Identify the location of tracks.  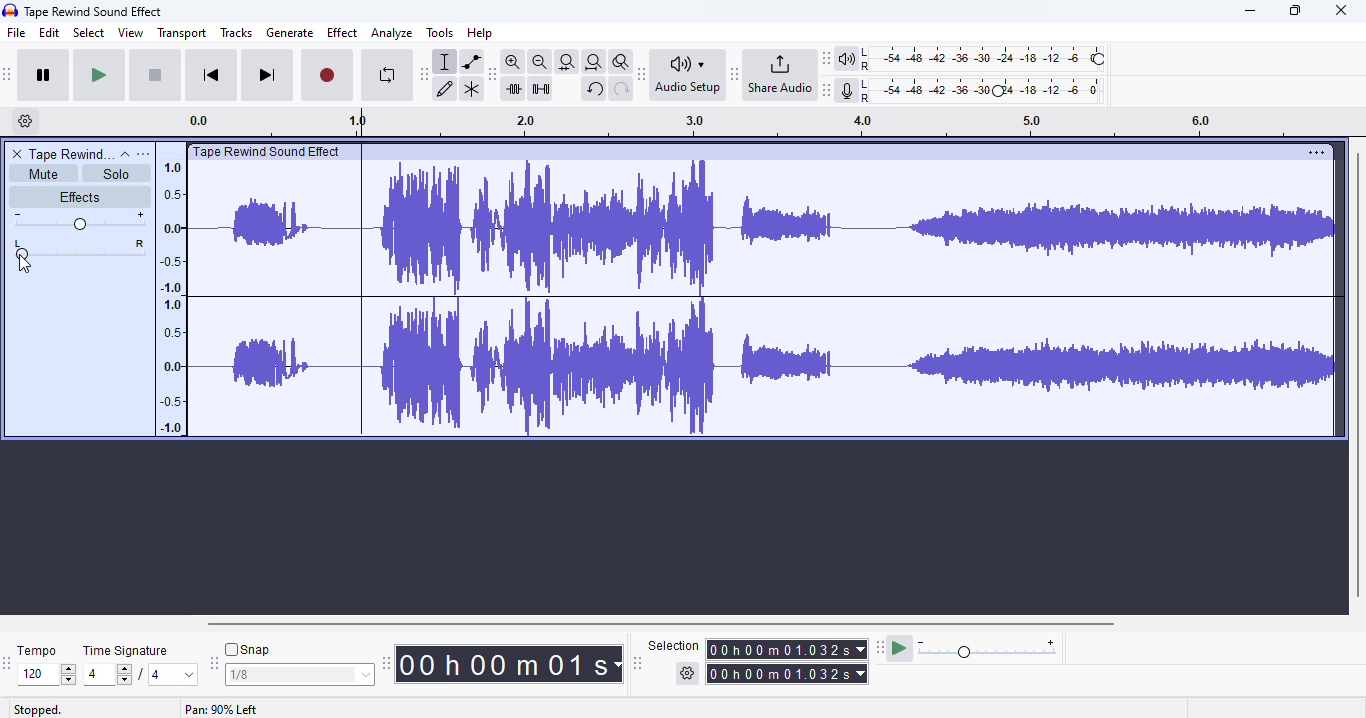
(236, 32).